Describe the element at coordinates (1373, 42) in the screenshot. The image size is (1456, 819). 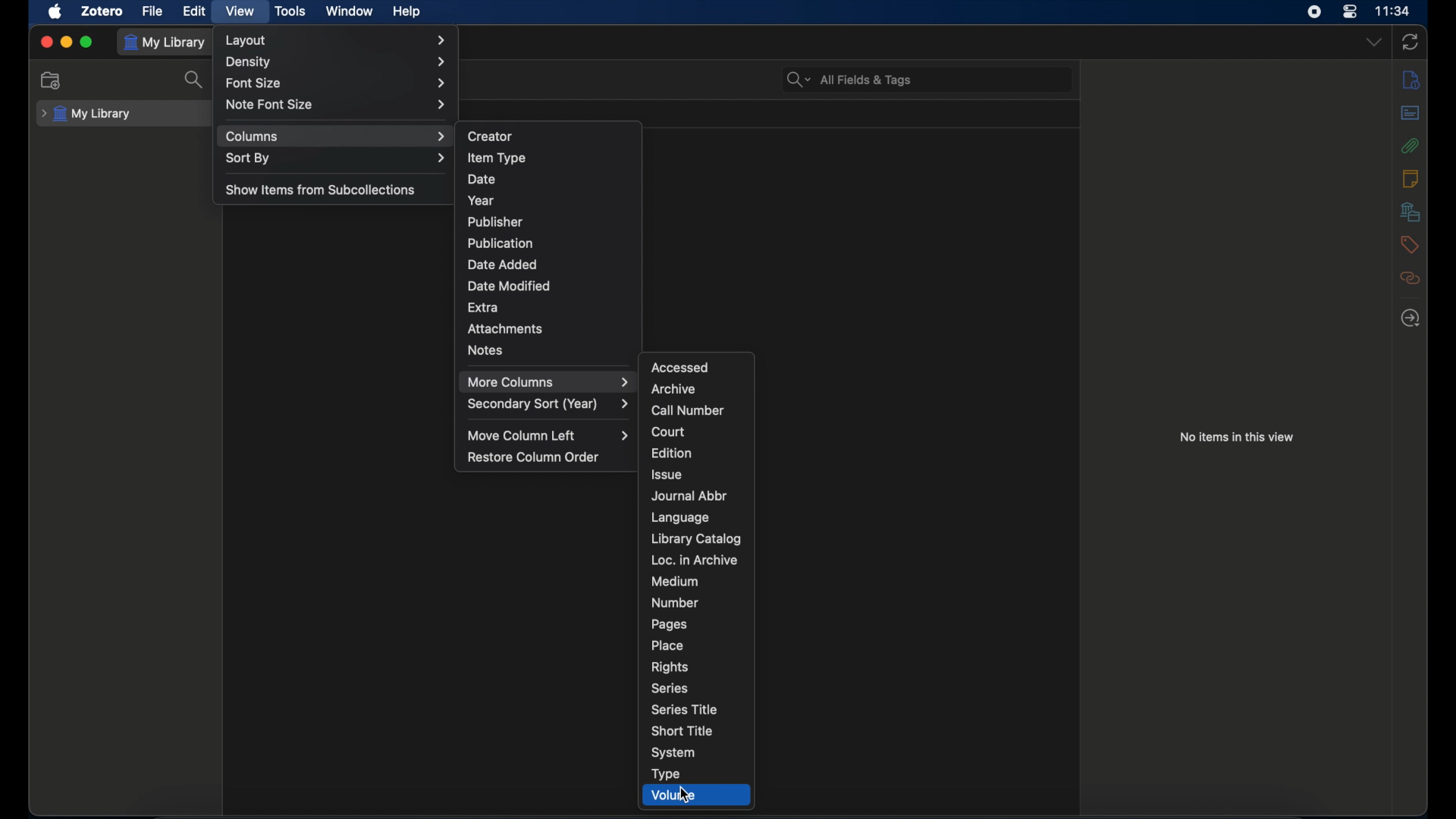
I see `dropdown` at that location.